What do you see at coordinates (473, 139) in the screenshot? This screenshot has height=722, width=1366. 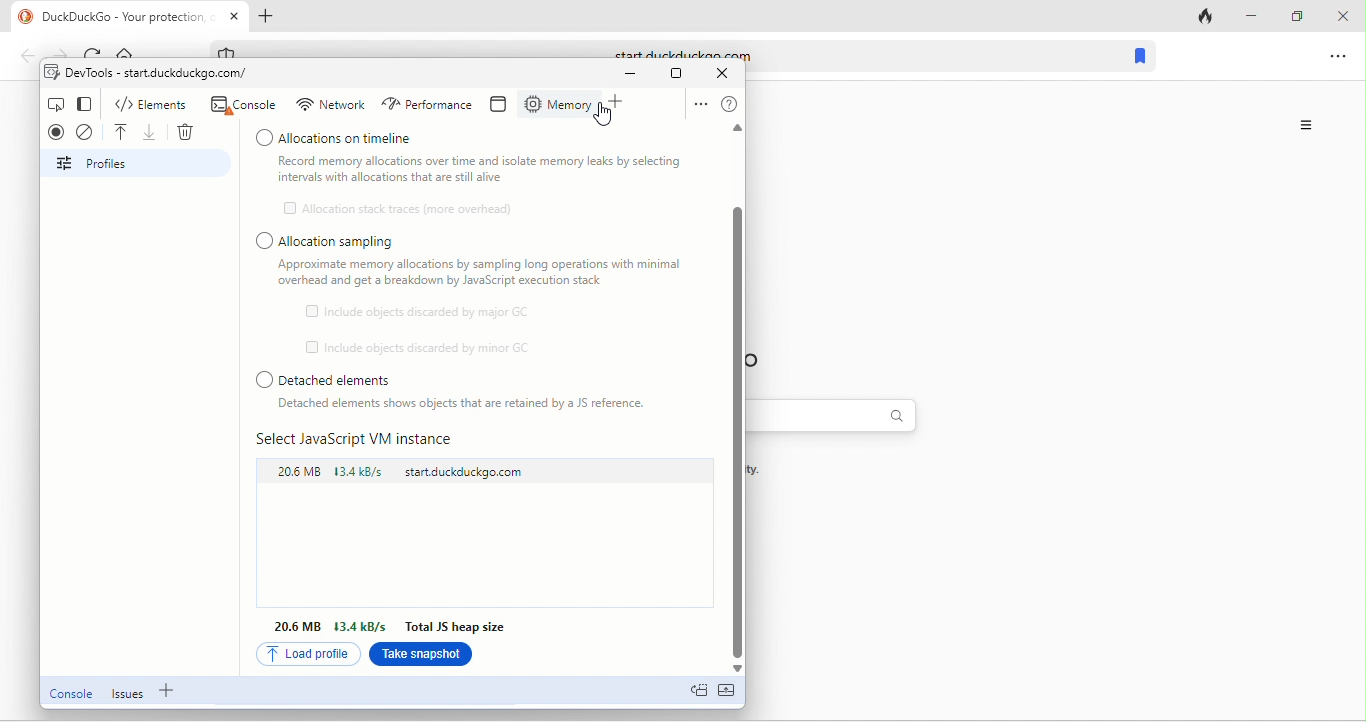 I see `allocation on timeline` at bounding box center [473, 139].